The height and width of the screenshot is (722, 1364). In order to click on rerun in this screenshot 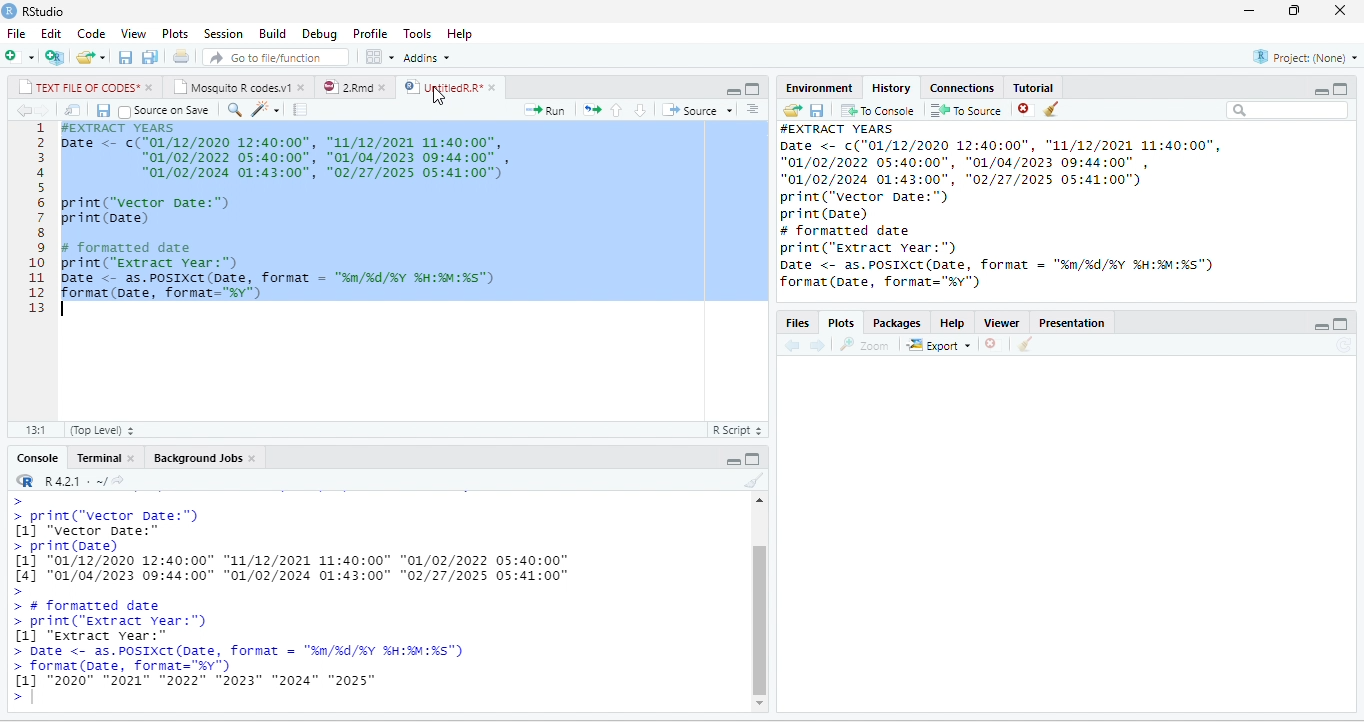, I will do `click(591, 109)`.